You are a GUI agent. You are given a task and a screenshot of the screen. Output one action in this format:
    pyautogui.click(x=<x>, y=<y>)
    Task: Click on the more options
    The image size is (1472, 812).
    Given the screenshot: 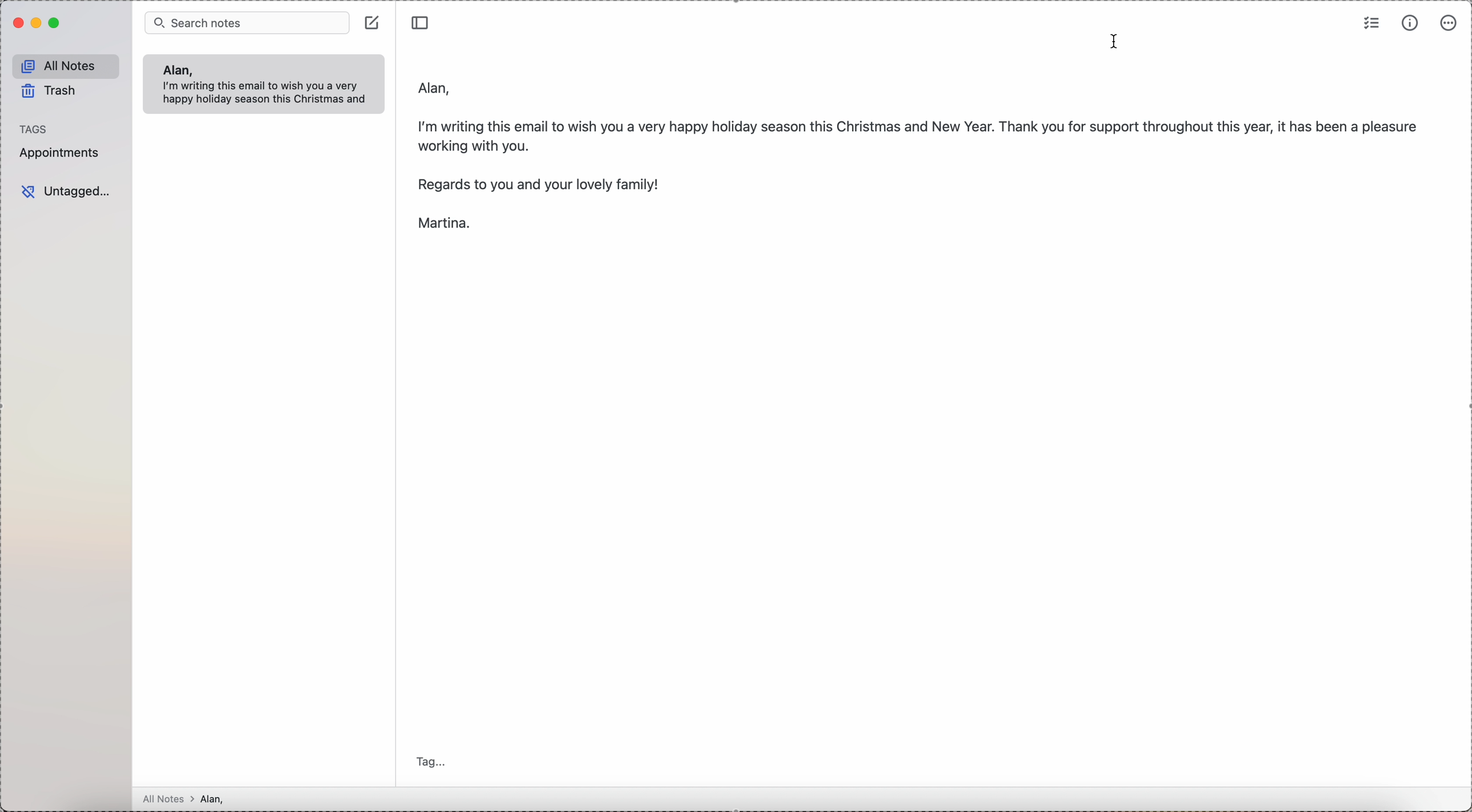 What is the action you would take?
    pyautogui.click(x=1449, y=23)
    